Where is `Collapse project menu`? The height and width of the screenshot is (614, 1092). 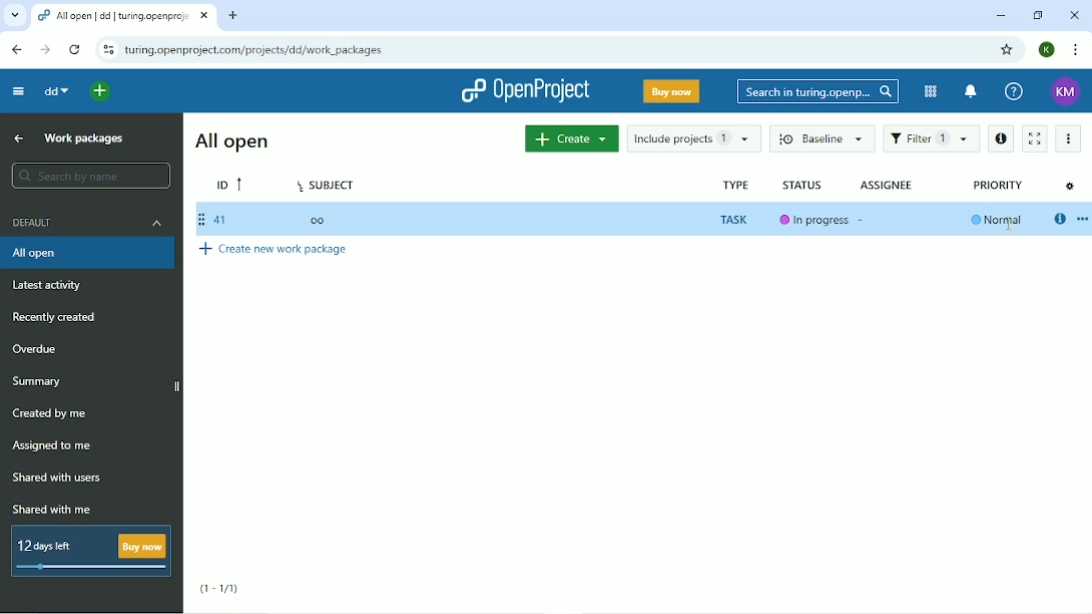 Collapse project menu is located at coordinates (20, 91).